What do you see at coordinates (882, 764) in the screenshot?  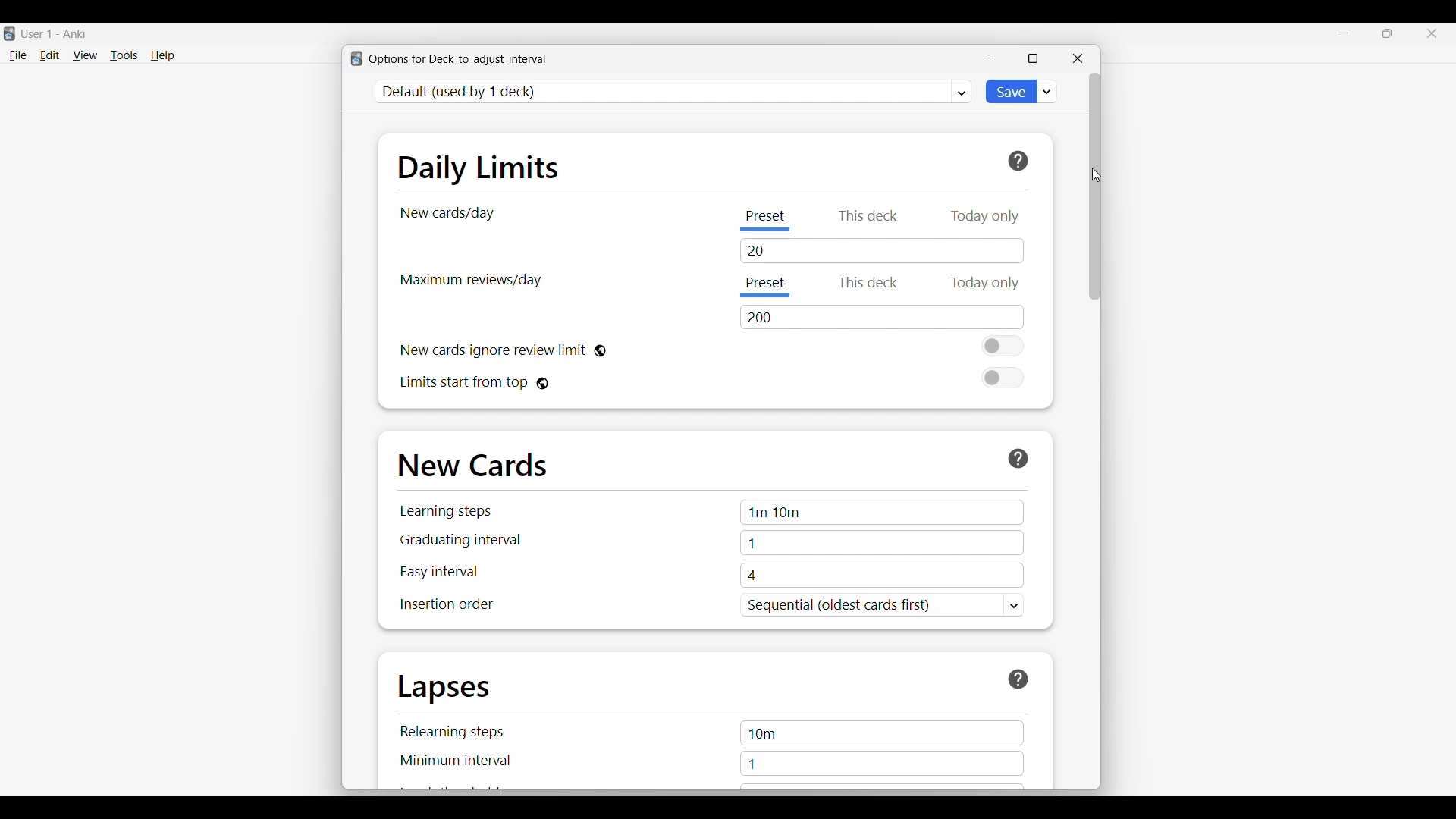 I see `1` at bounding box center [882, 764].